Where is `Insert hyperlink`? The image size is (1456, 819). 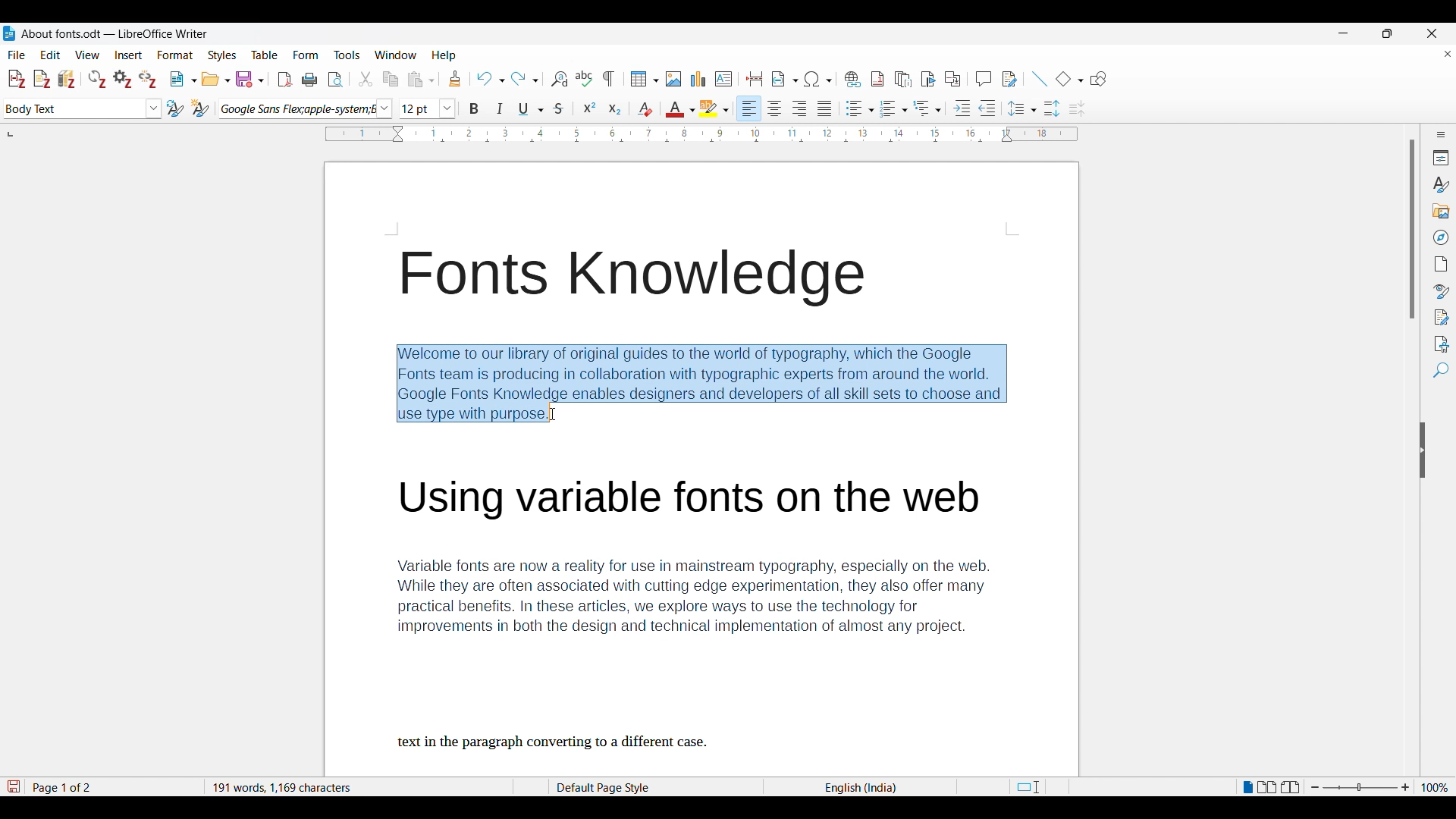
Insert hyperlink is located at coordinates (852, 79).